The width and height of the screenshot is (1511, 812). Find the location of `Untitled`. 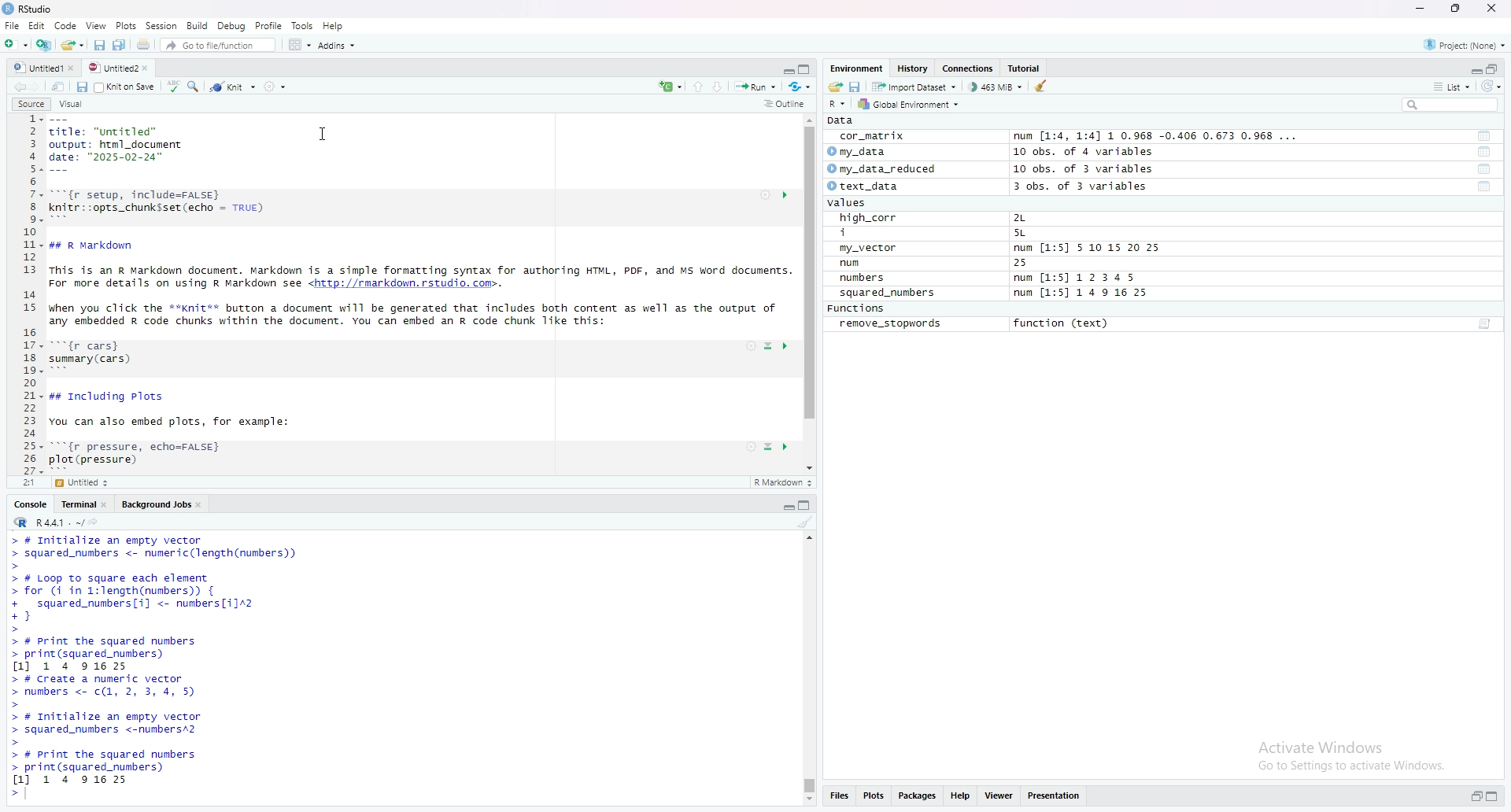

Untitled is located at coordinates (79, 482).